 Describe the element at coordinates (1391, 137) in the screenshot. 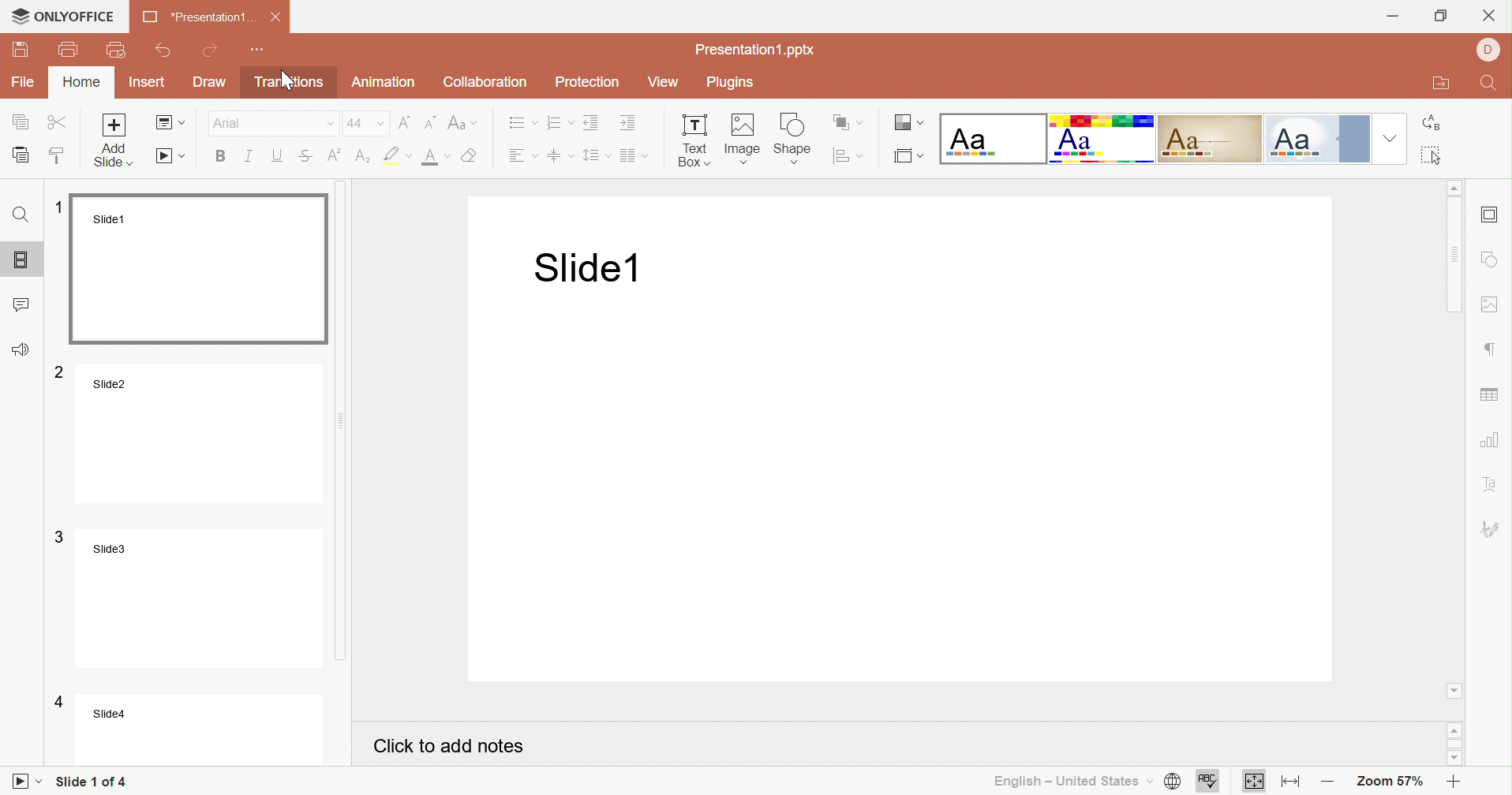

I see `More` at that location.